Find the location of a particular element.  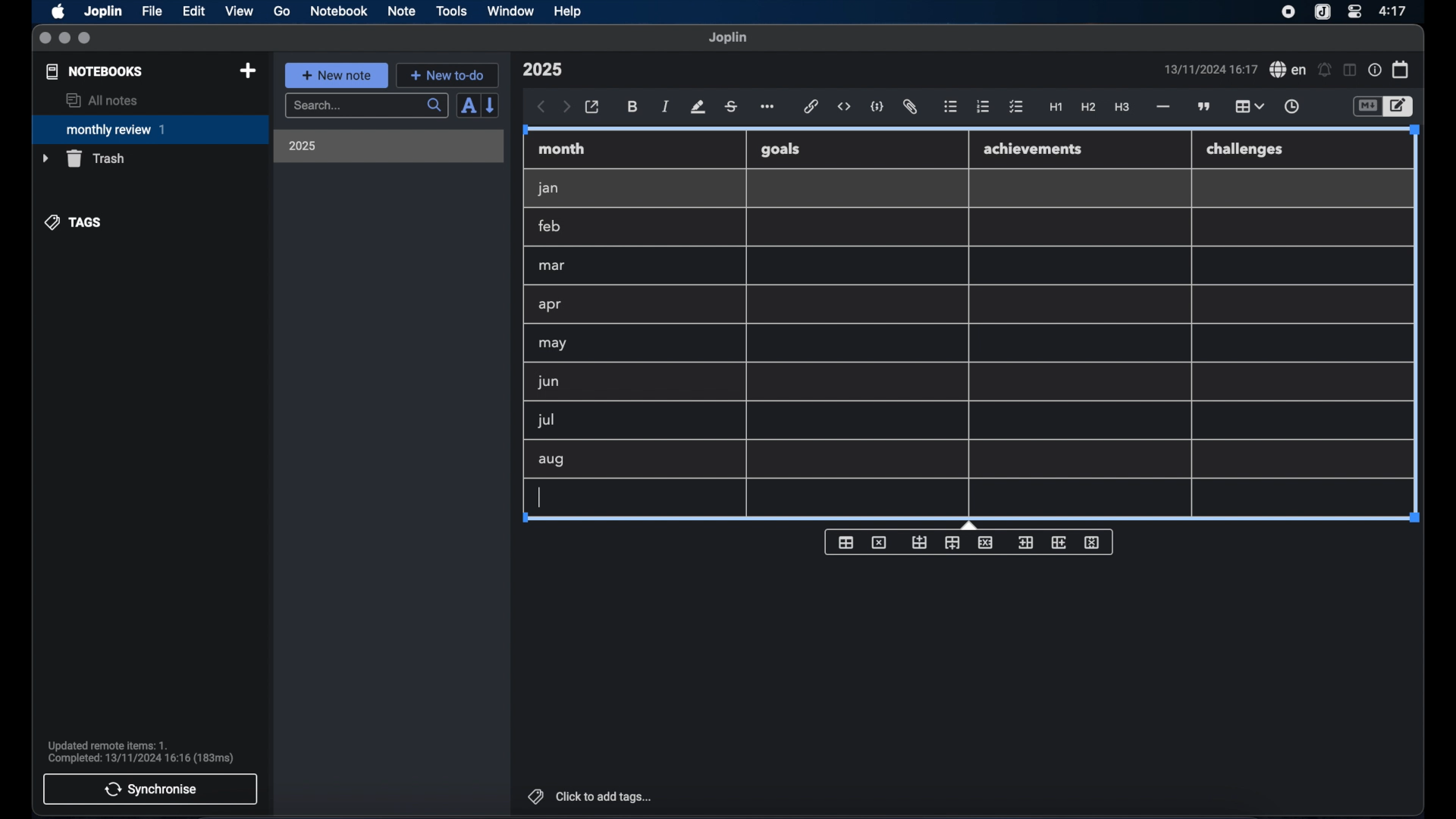

block quotes is located at coordinates (1205, 107).